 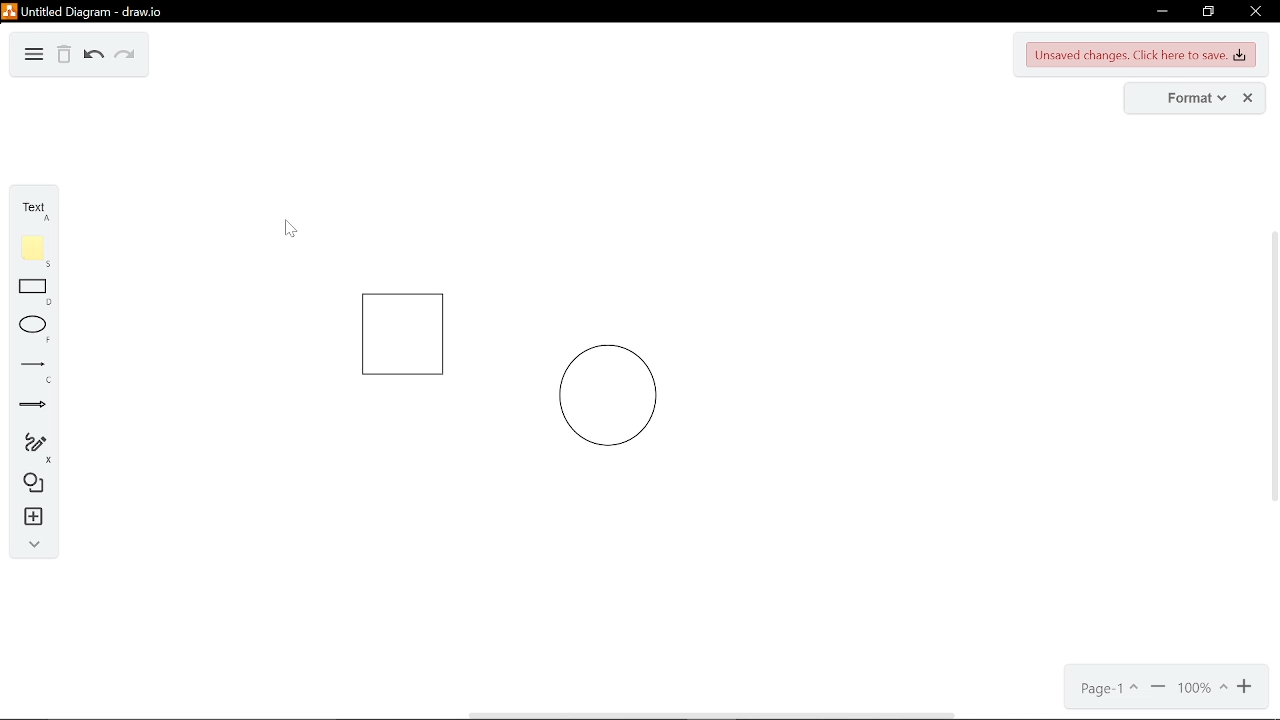 What do you see at coordinates (95, 55) in the screenshot?
I see `undo` at bounding box center [95, 55].